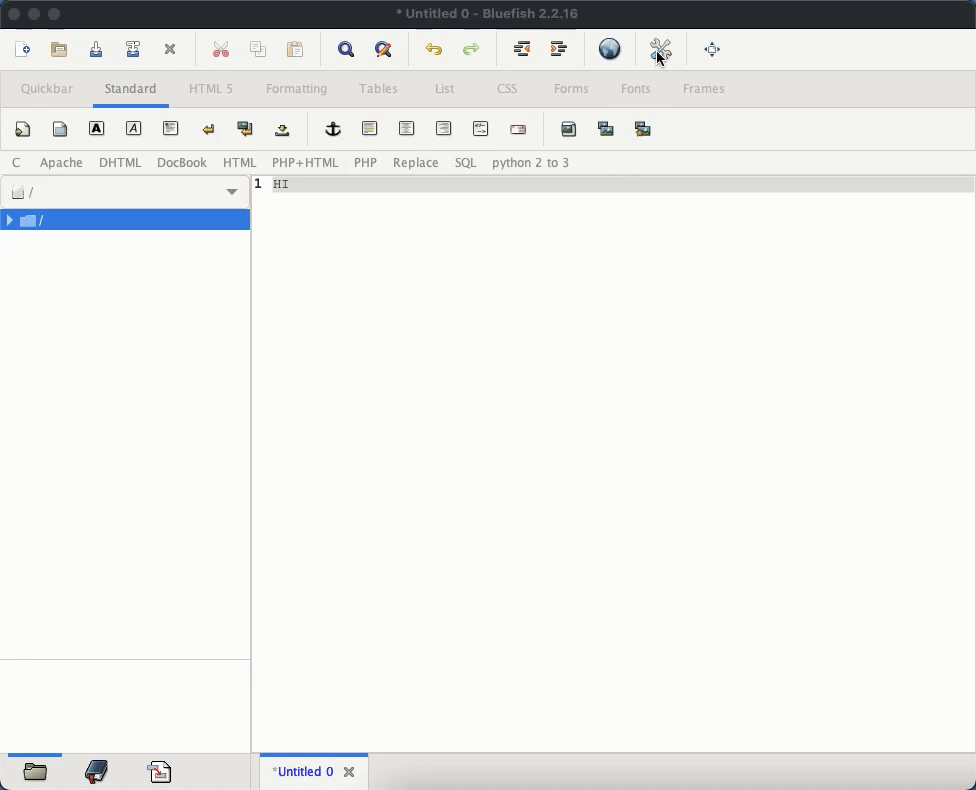 This screenshot has width=976, height=790. What do you see at coordinates (62, 162) in the screenshot?
I see `apache` at bounding box center [62, 162].